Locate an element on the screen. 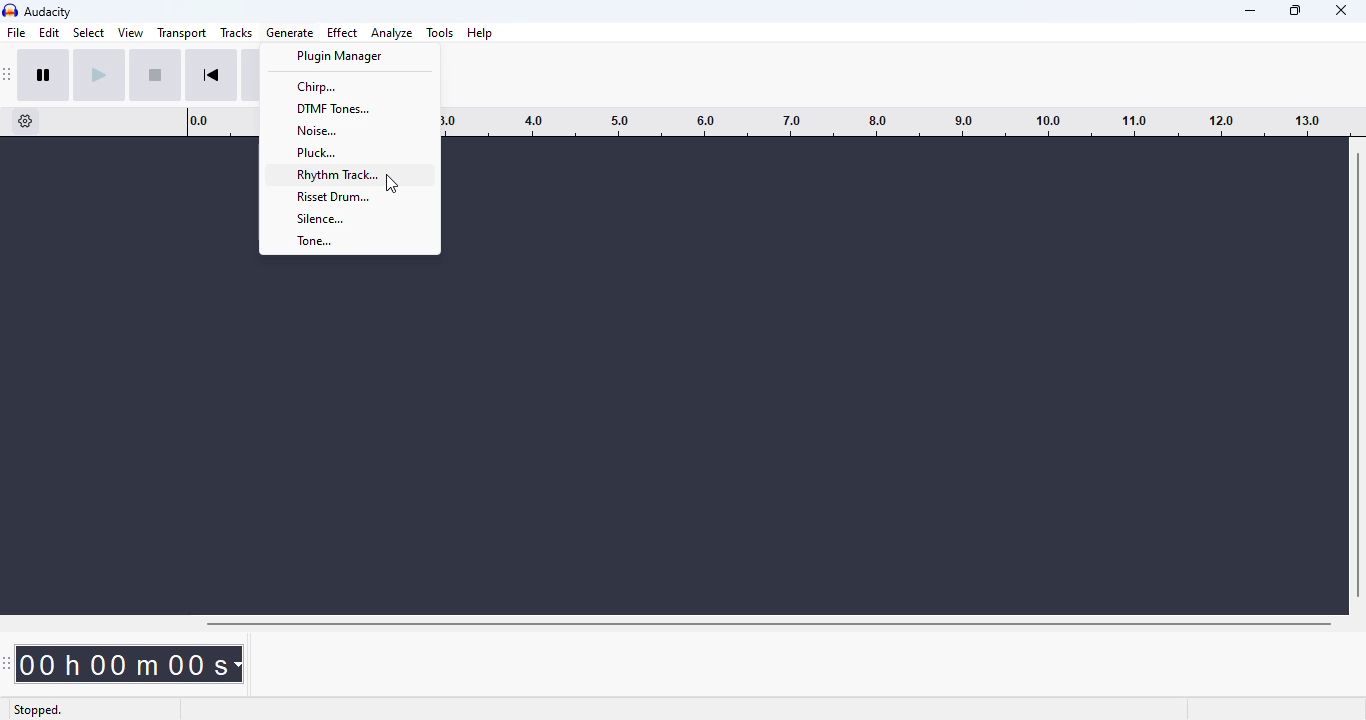  pluck is located at coordinates (347, 152).